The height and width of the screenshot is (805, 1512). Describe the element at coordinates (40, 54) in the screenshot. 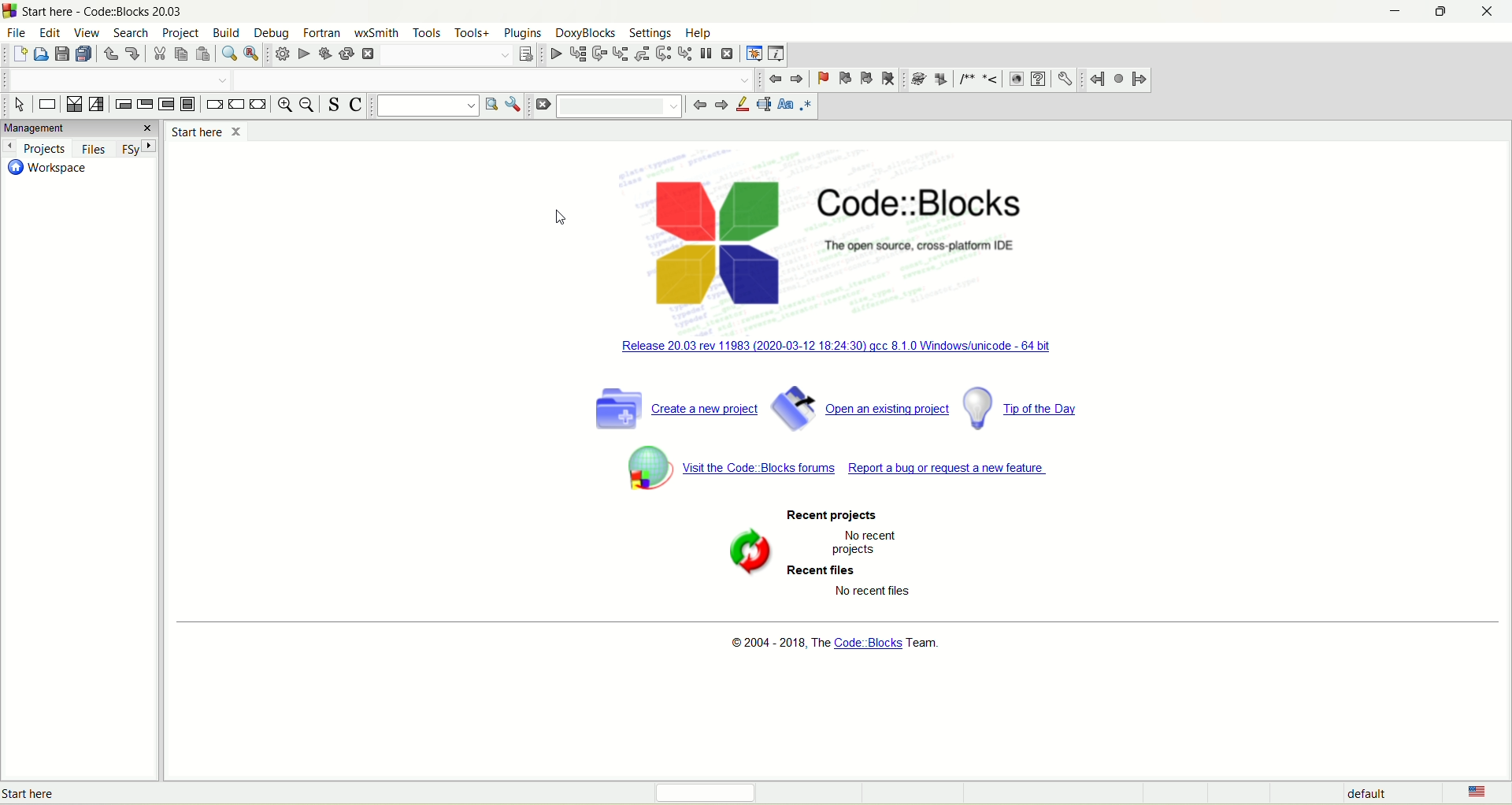

I see `open` at that location.